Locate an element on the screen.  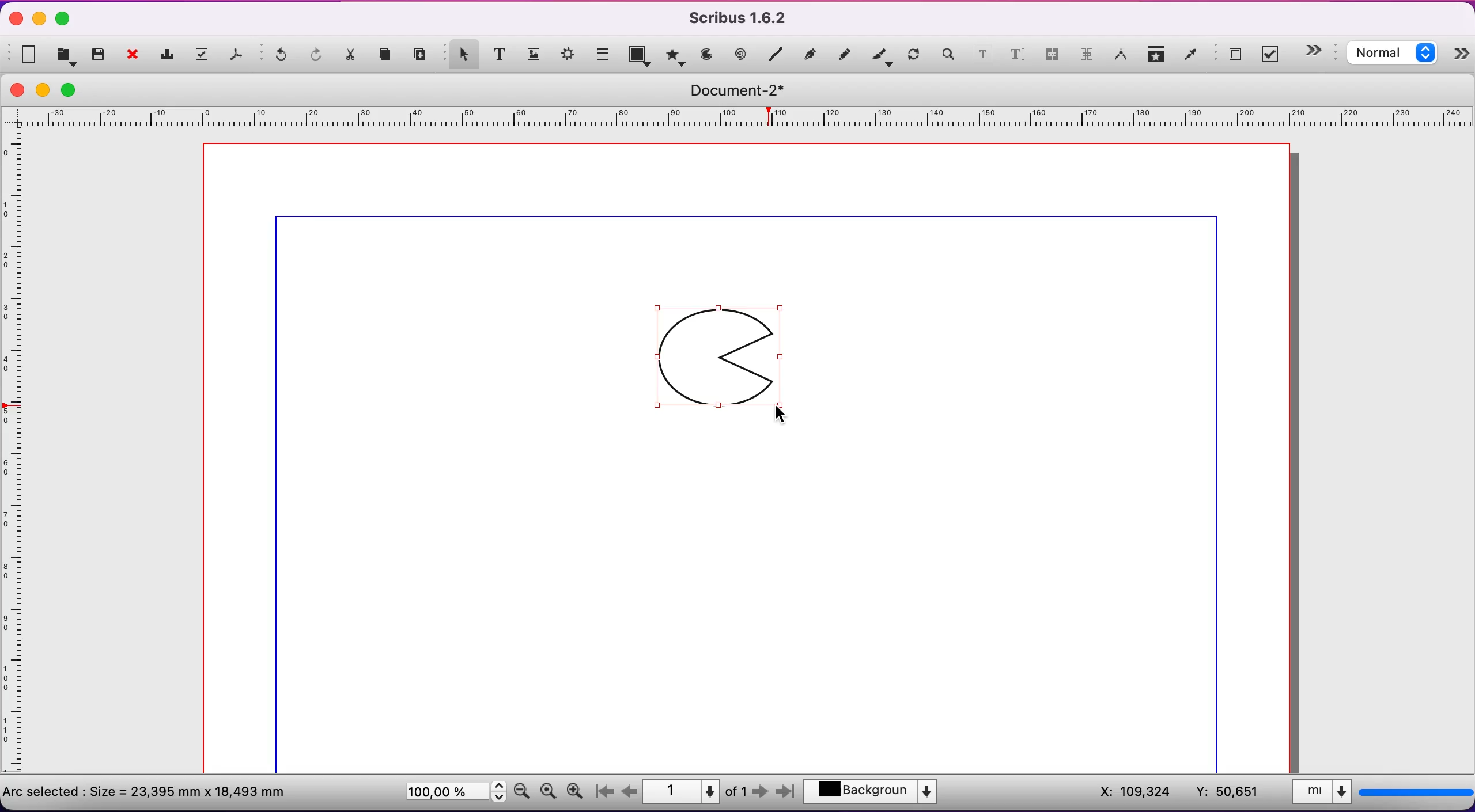
eye dropper is located at coordinates (1191, 56).